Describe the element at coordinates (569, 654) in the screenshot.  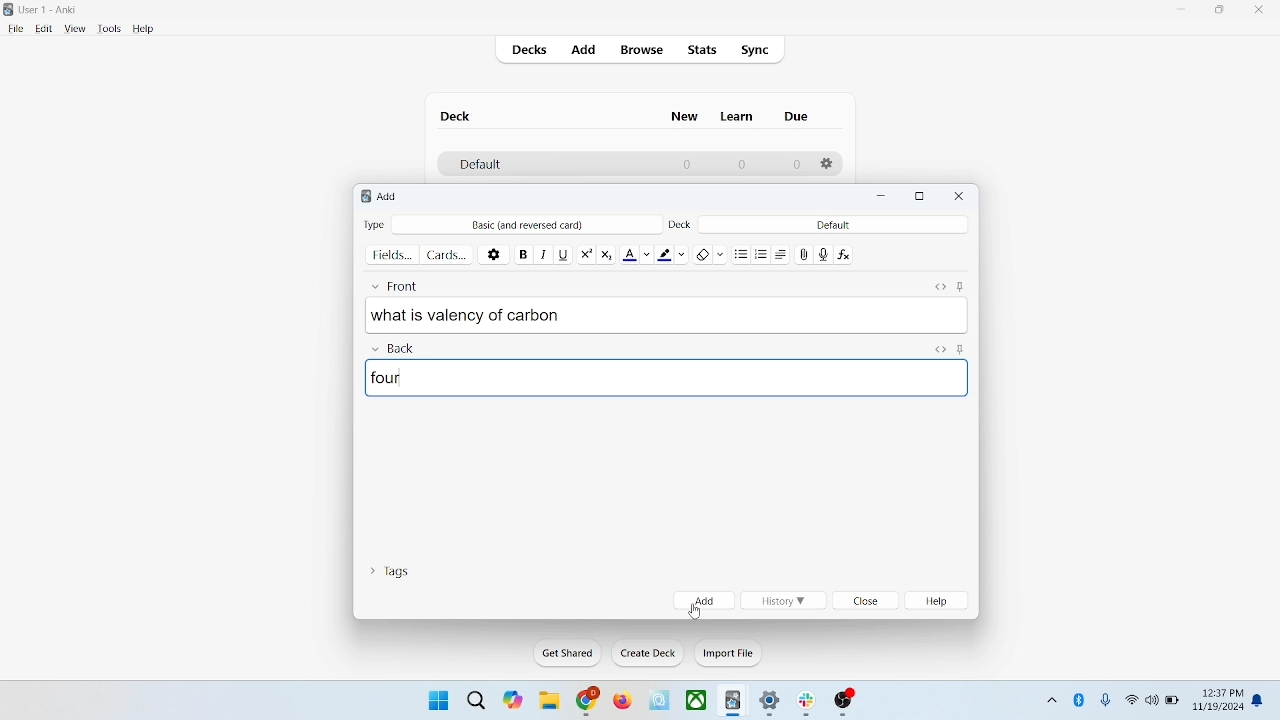
I see `get shared` at that location.